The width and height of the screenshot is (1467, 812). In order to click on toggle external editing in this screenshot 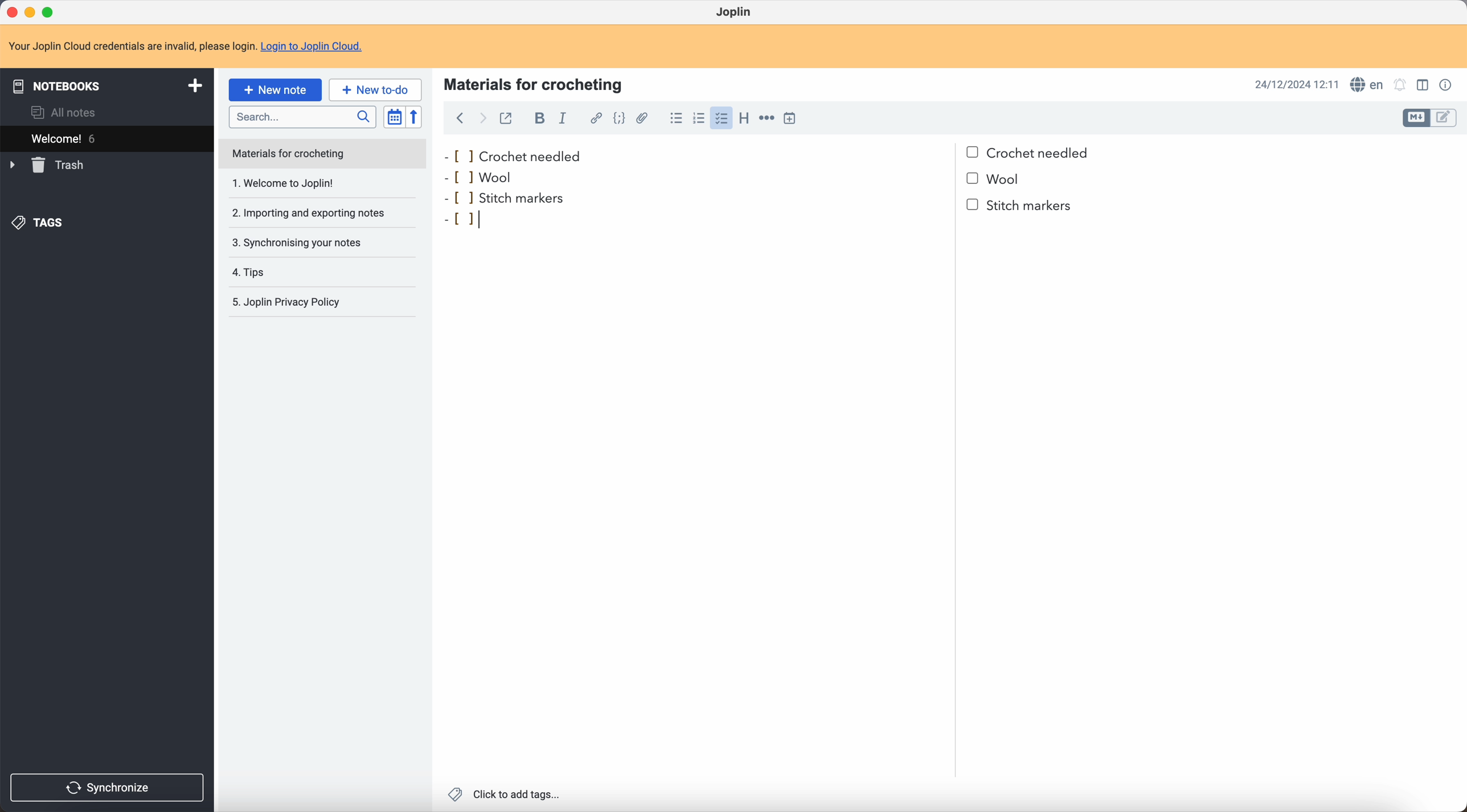, I will do `click(507, 121)`.